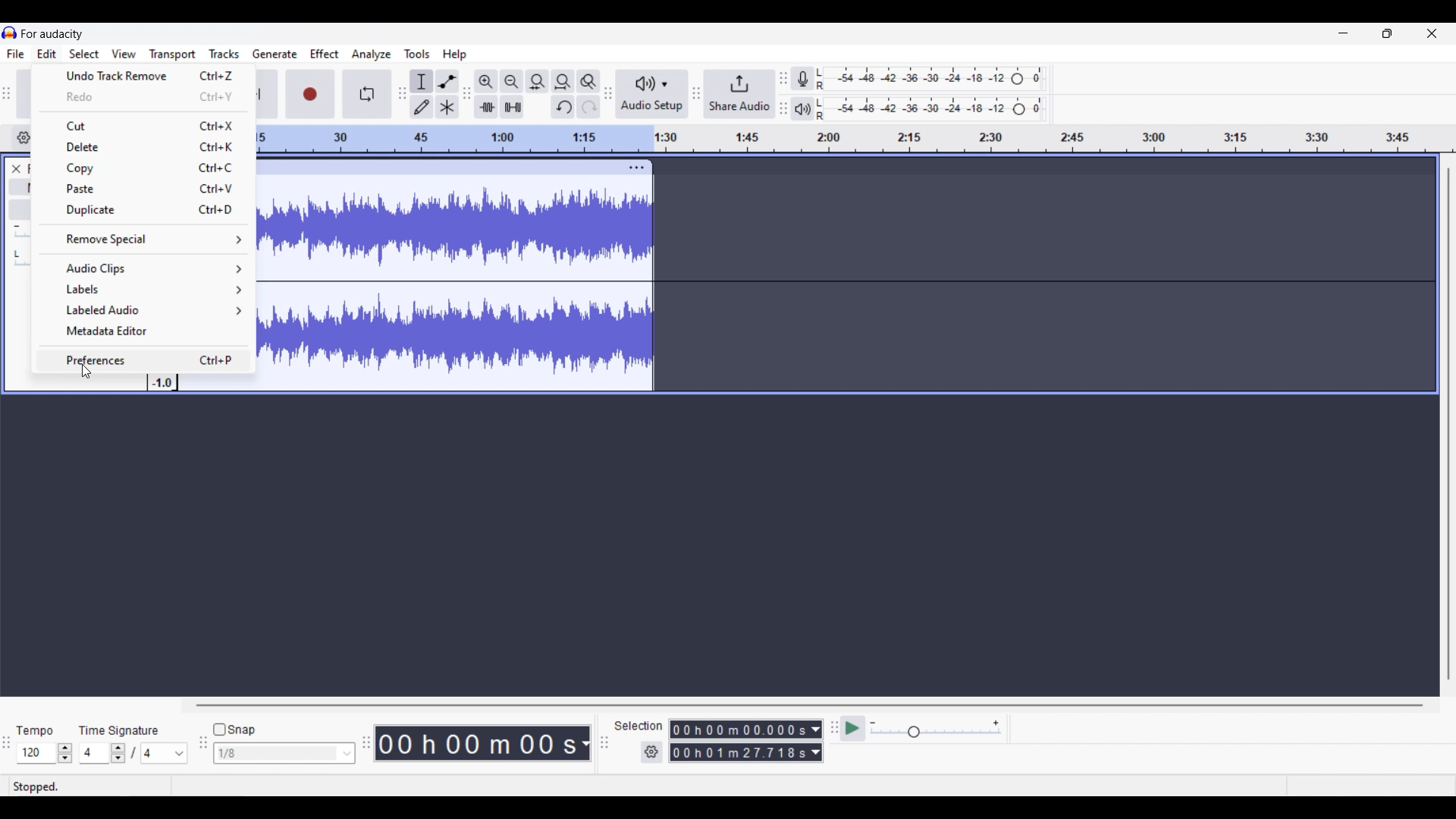  Describe the element at coordinates (1343, 33) in the screenshot. I see `Minimize` at that location.